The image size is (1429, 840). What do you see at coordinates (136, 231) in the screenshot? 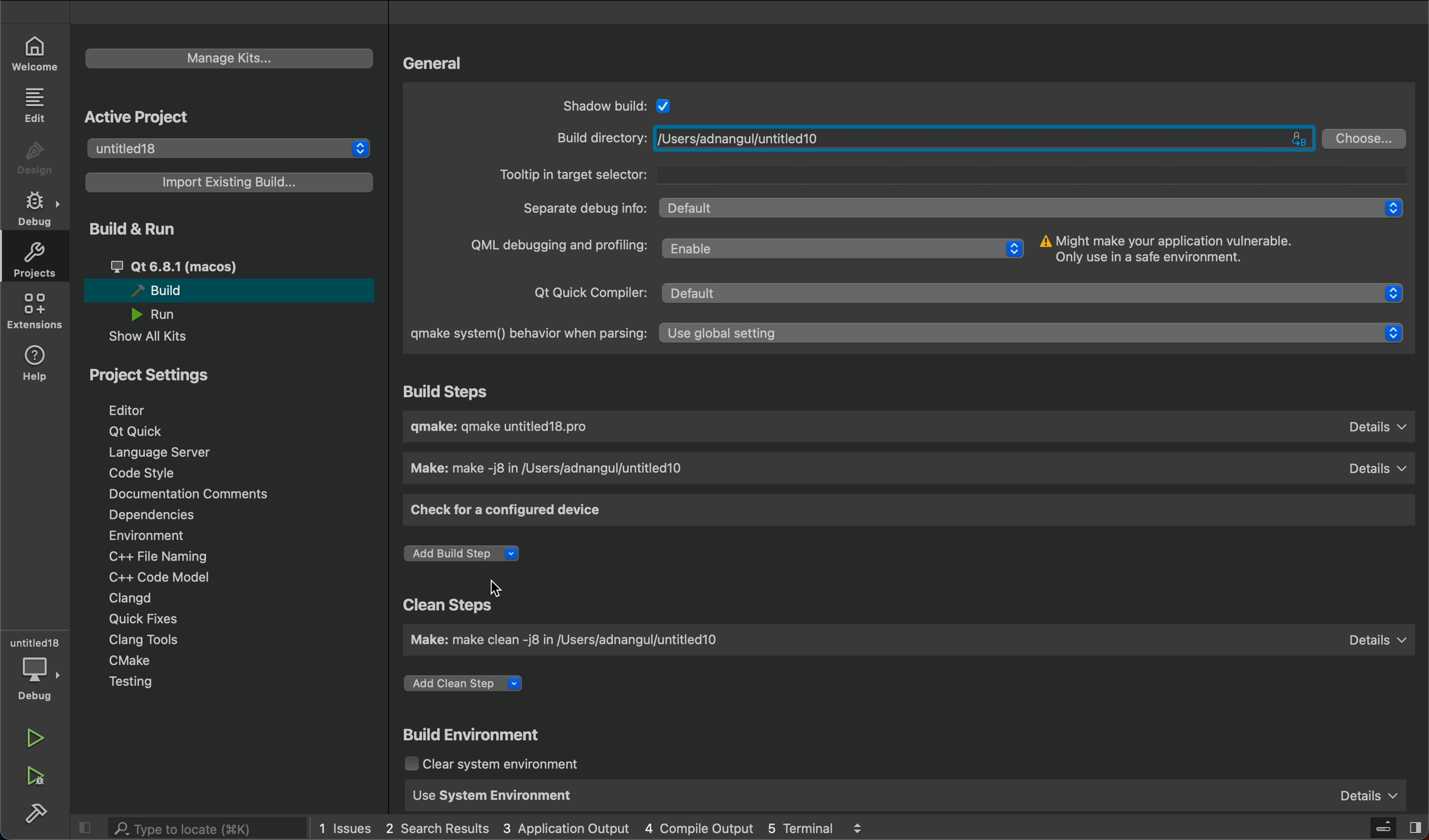
I see `Build & Run` at bounding box center [136, 231].